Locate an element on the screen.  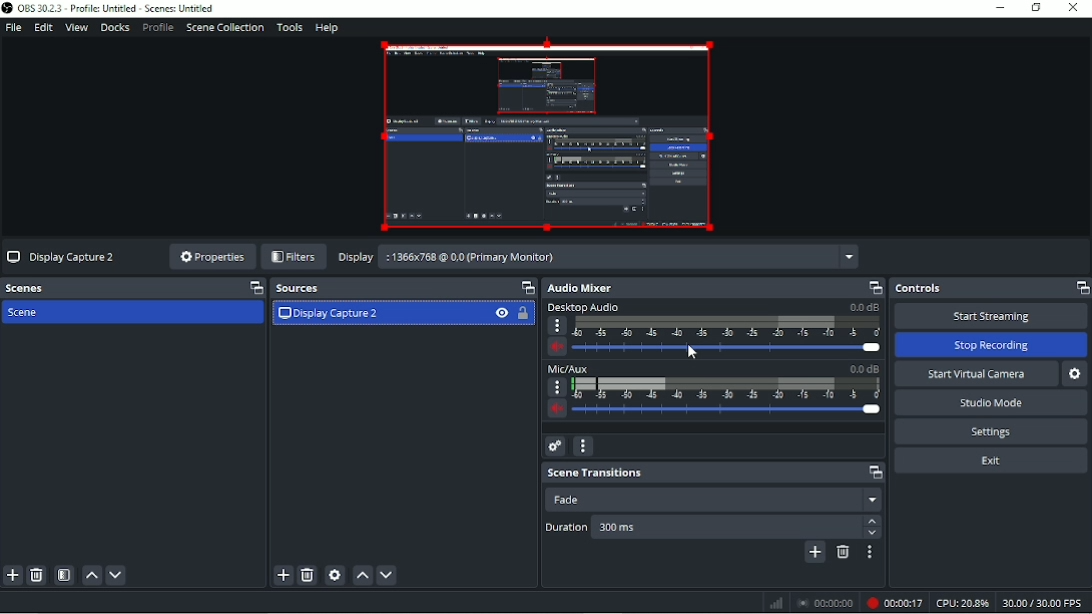
Remove configurable transition is located at coordinates (843, 553).